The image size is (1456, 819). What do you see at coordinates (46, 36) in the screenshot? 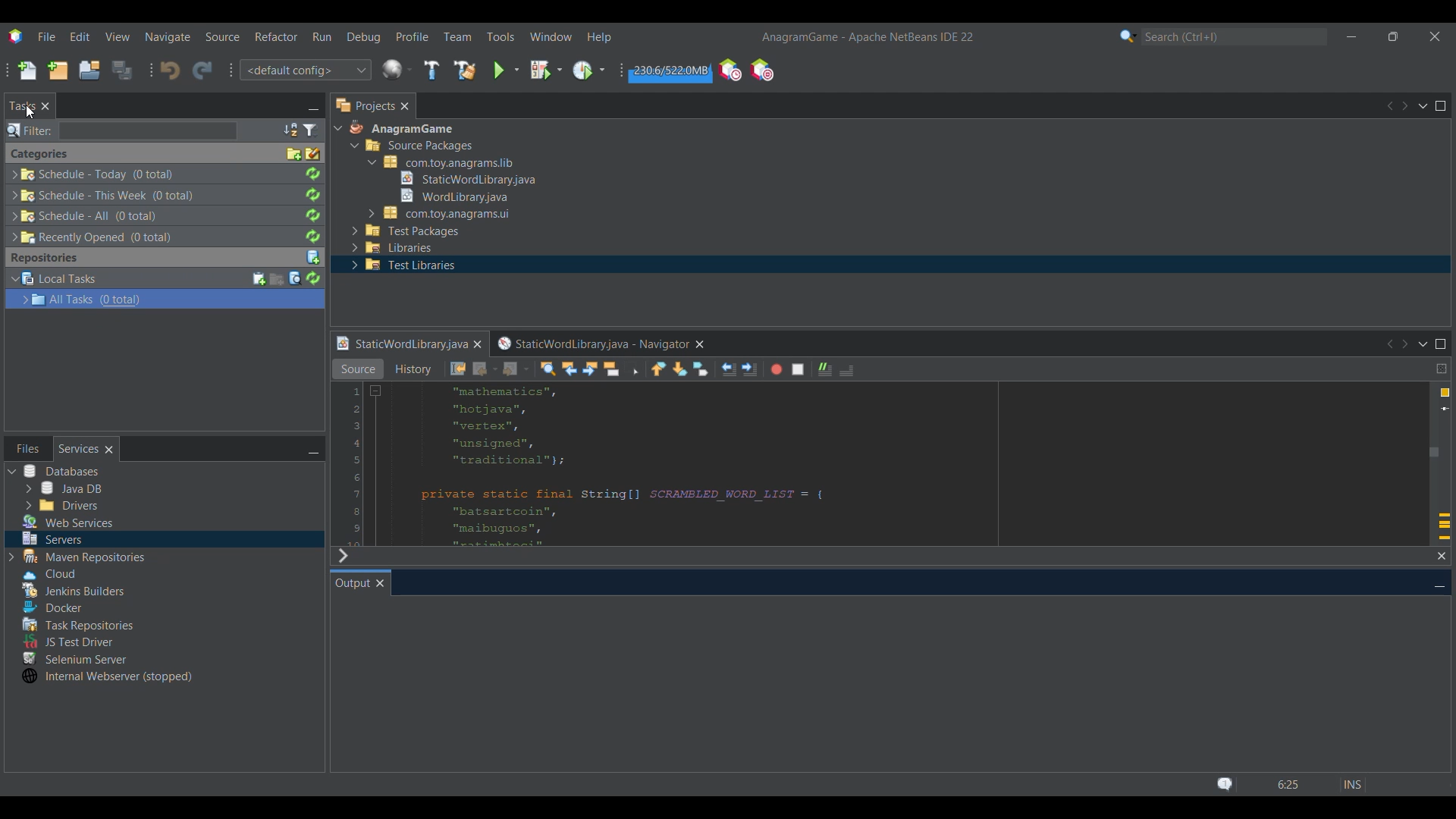
I see `File menu` at bounding box center [46, 36].